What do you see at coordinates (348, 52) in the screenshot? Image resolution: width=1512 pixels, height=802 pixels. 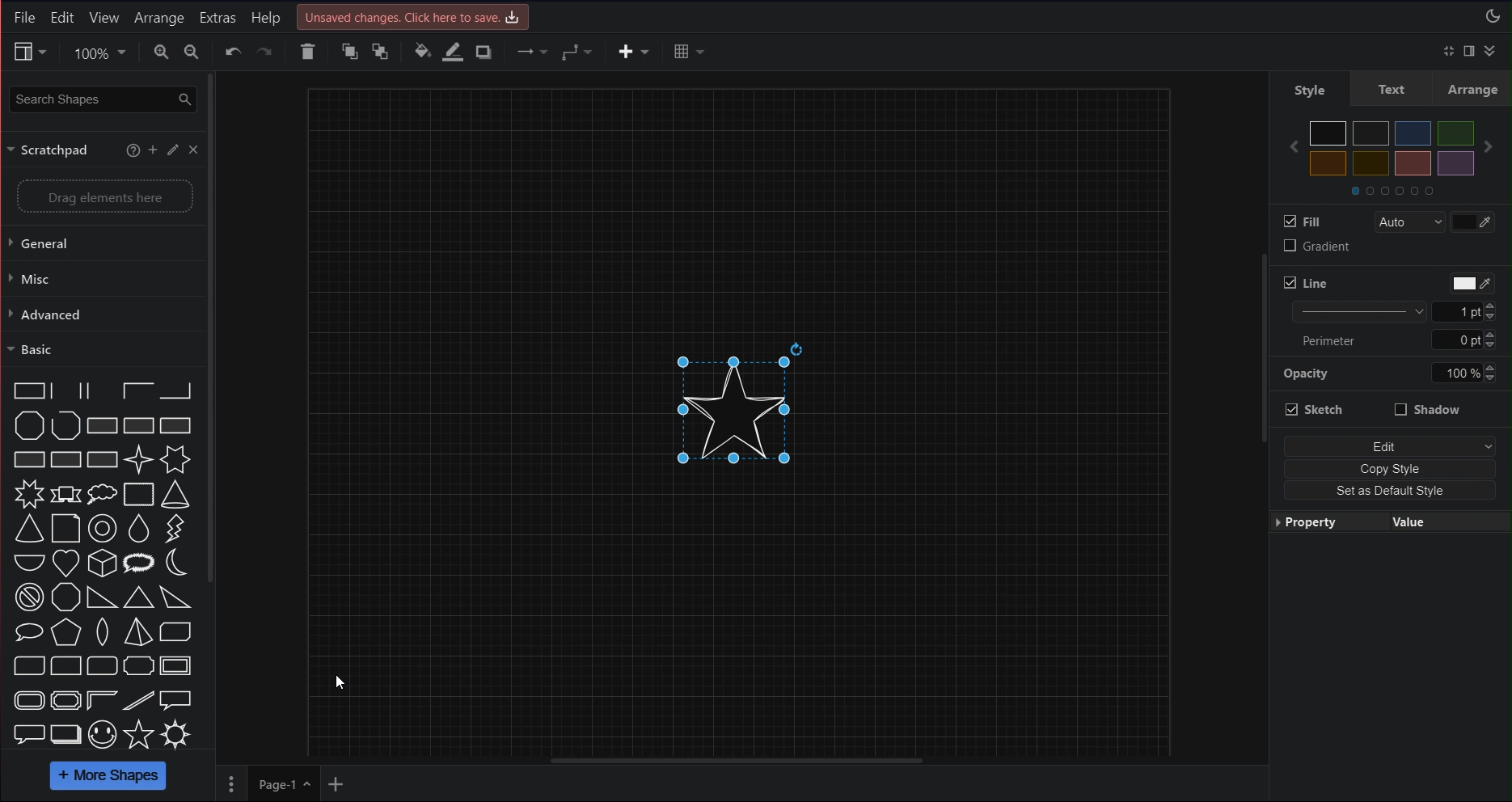 I see `To Front` at bounding box center [348, 52].